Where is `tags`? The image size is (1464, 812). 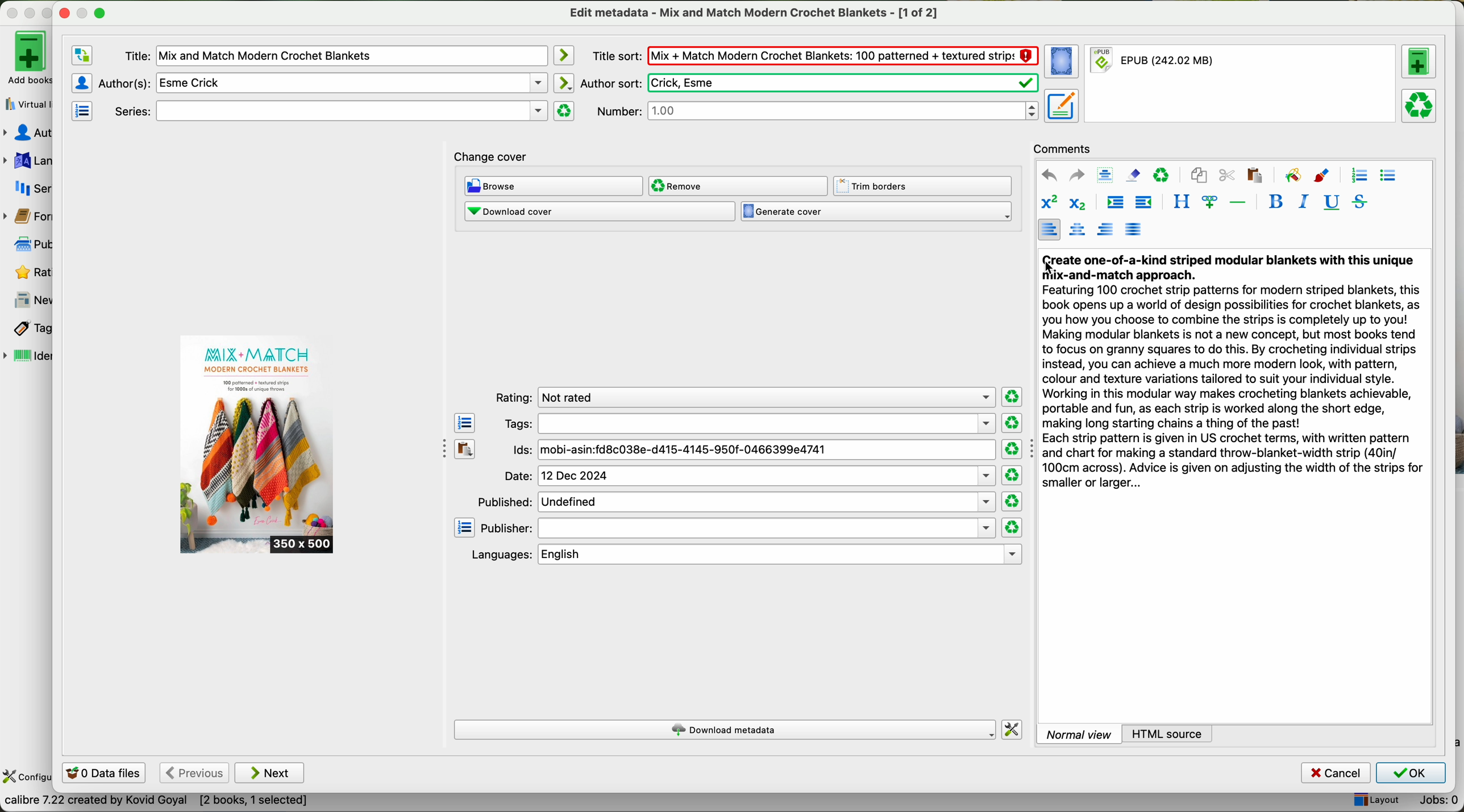
tags is located at coordinates (748, 423).